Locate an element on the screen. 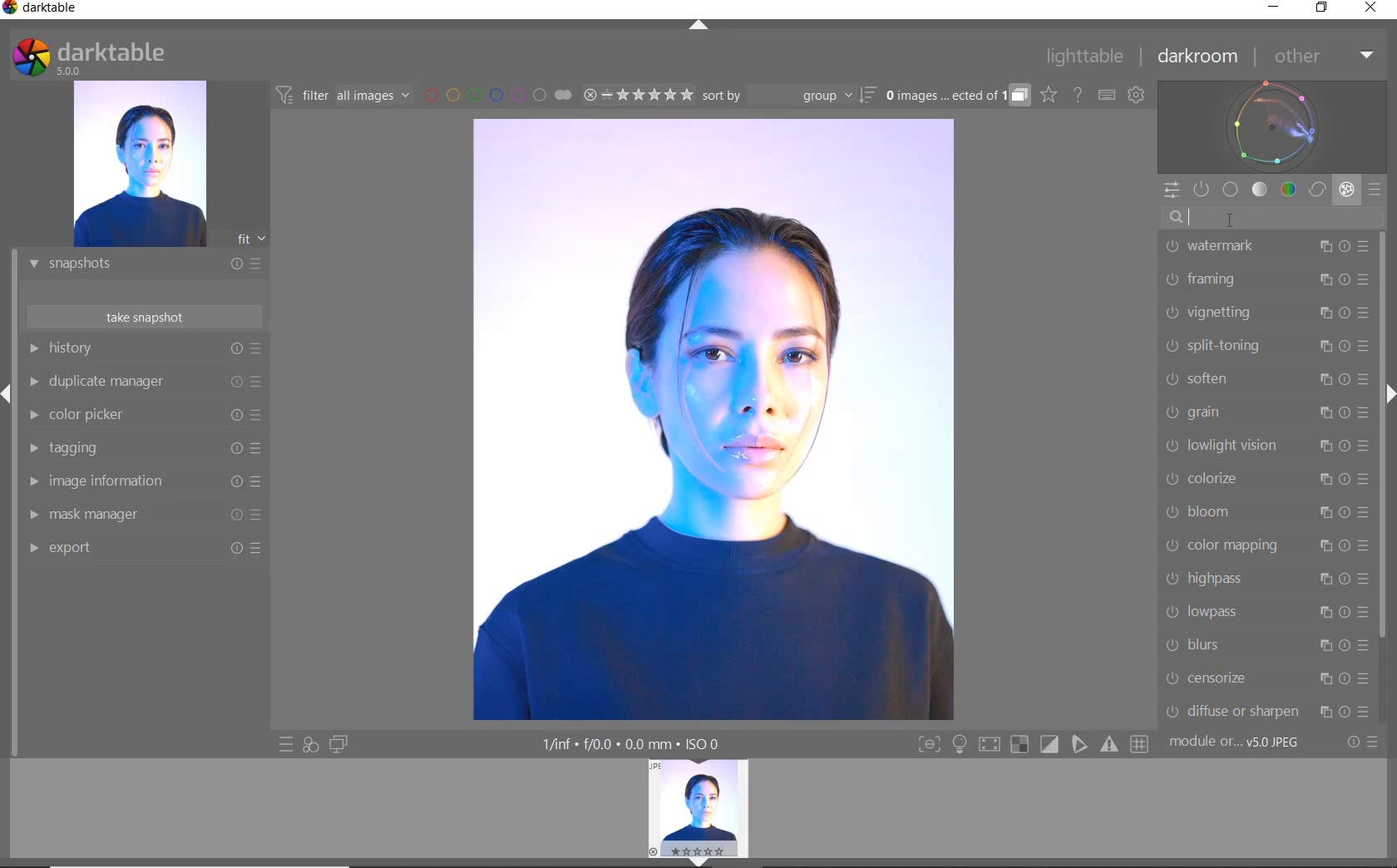 This screenshot has height=868, width=1397. SYSTEM NAME is located at coordinates (43, 11).